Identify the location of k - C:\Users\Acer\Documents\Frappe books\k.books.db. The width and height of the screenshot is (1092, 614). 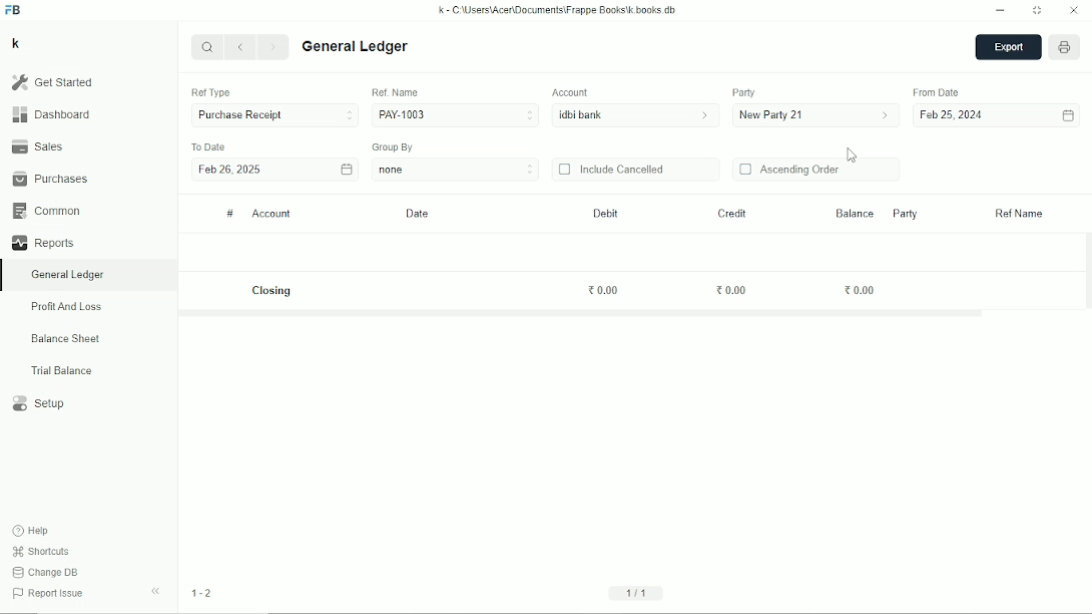
(558, 10).